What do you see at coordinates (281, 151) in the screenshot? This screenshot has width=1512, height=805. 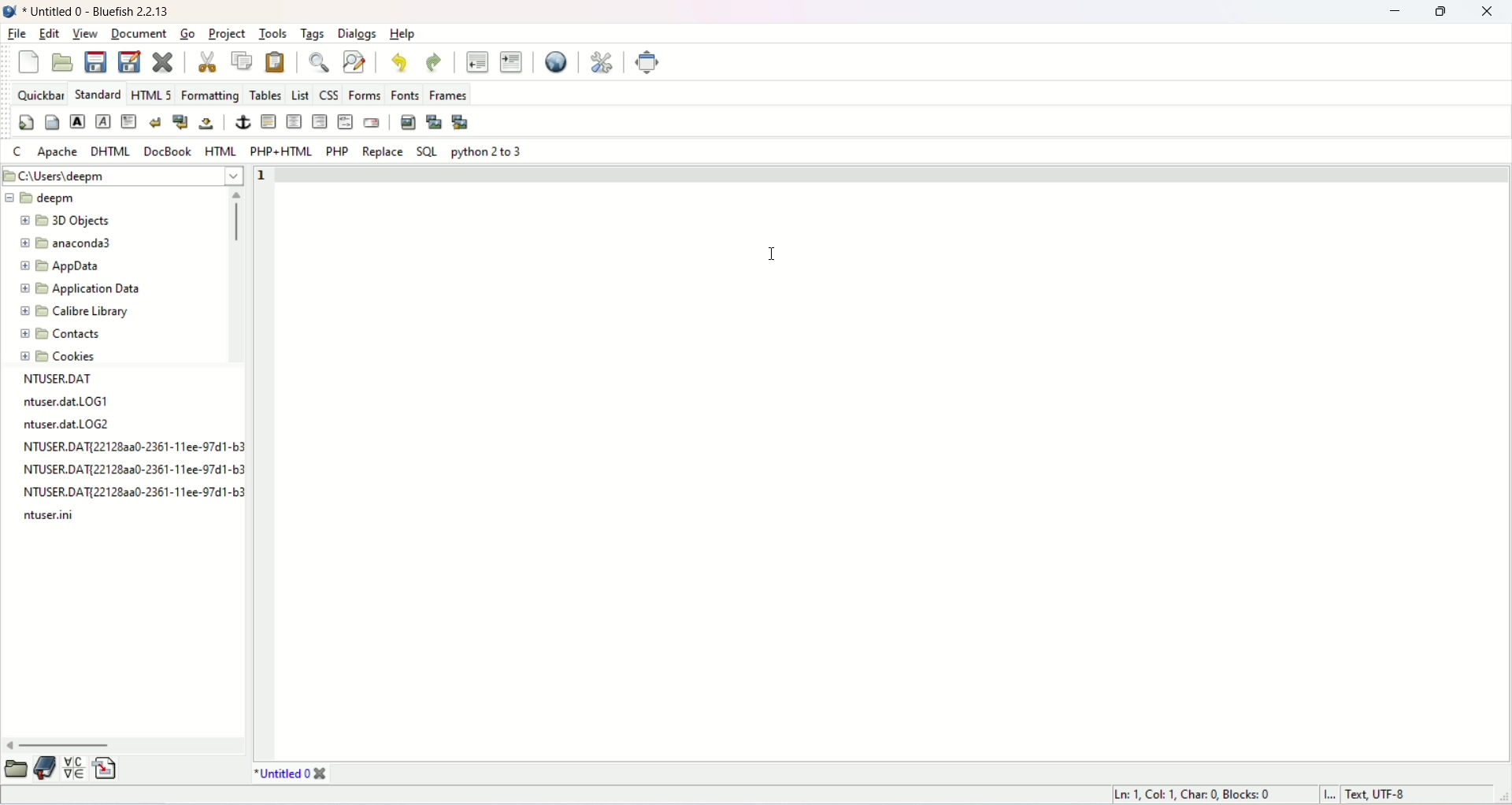 I see `PHP+HTML` at bounding box center [281, 151].